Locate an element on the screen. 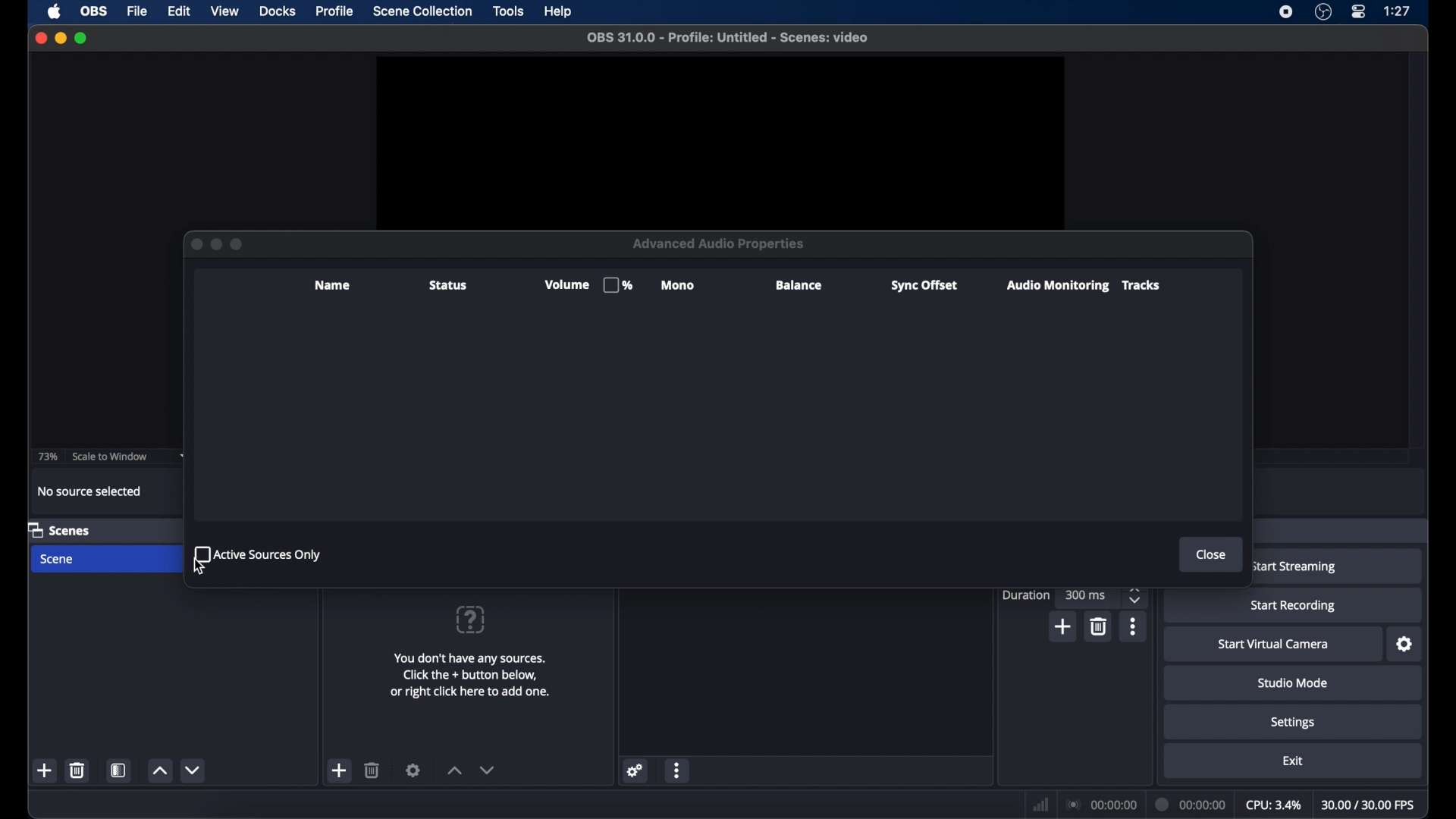 Image resolution: width=1456 pixels, height=819 pixels. view is located at coordinates (226, 11).